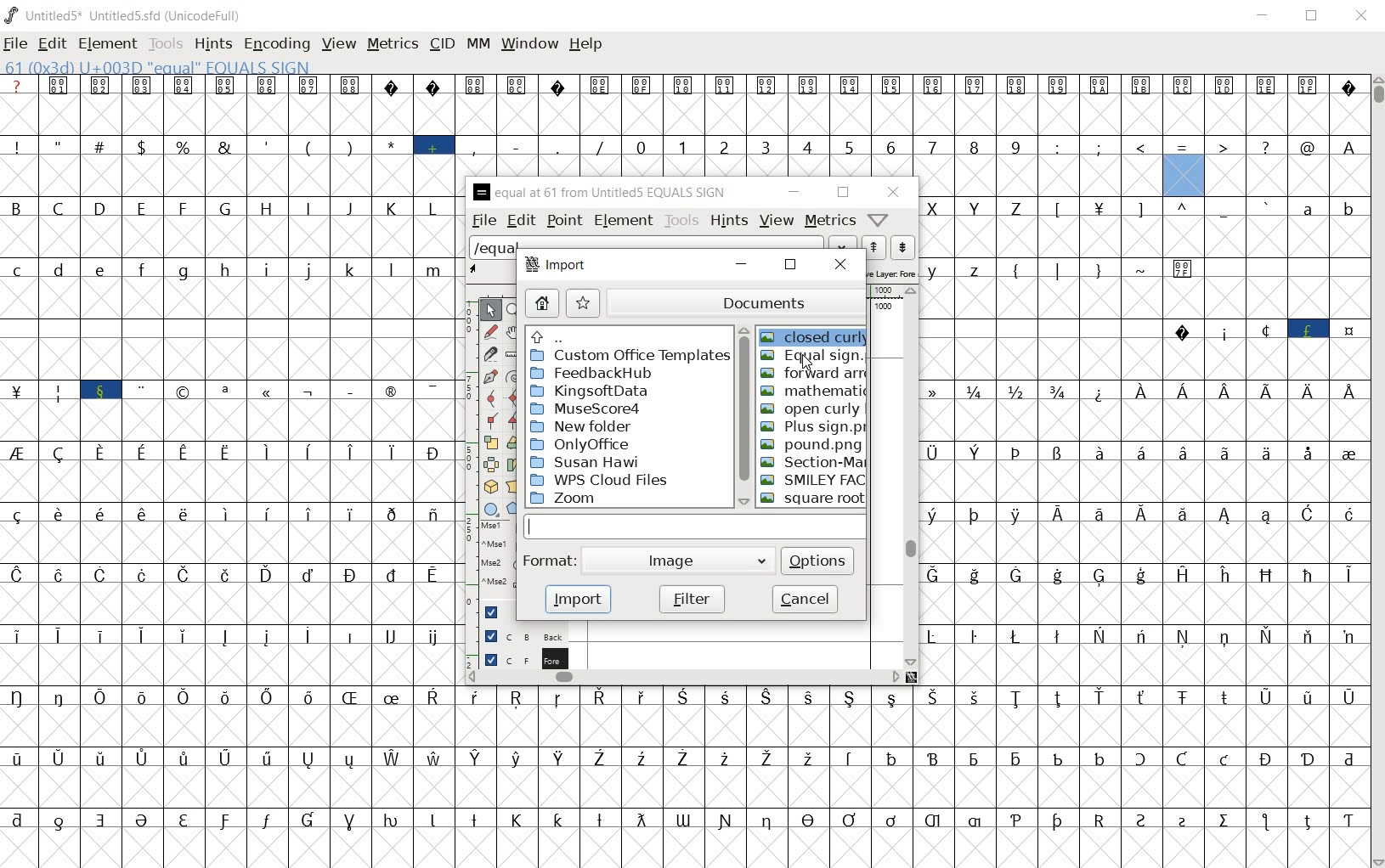  What do you see at coordinates (794, 194) in the screenshot?
I see `minimize` at bounding box center [794, 194].